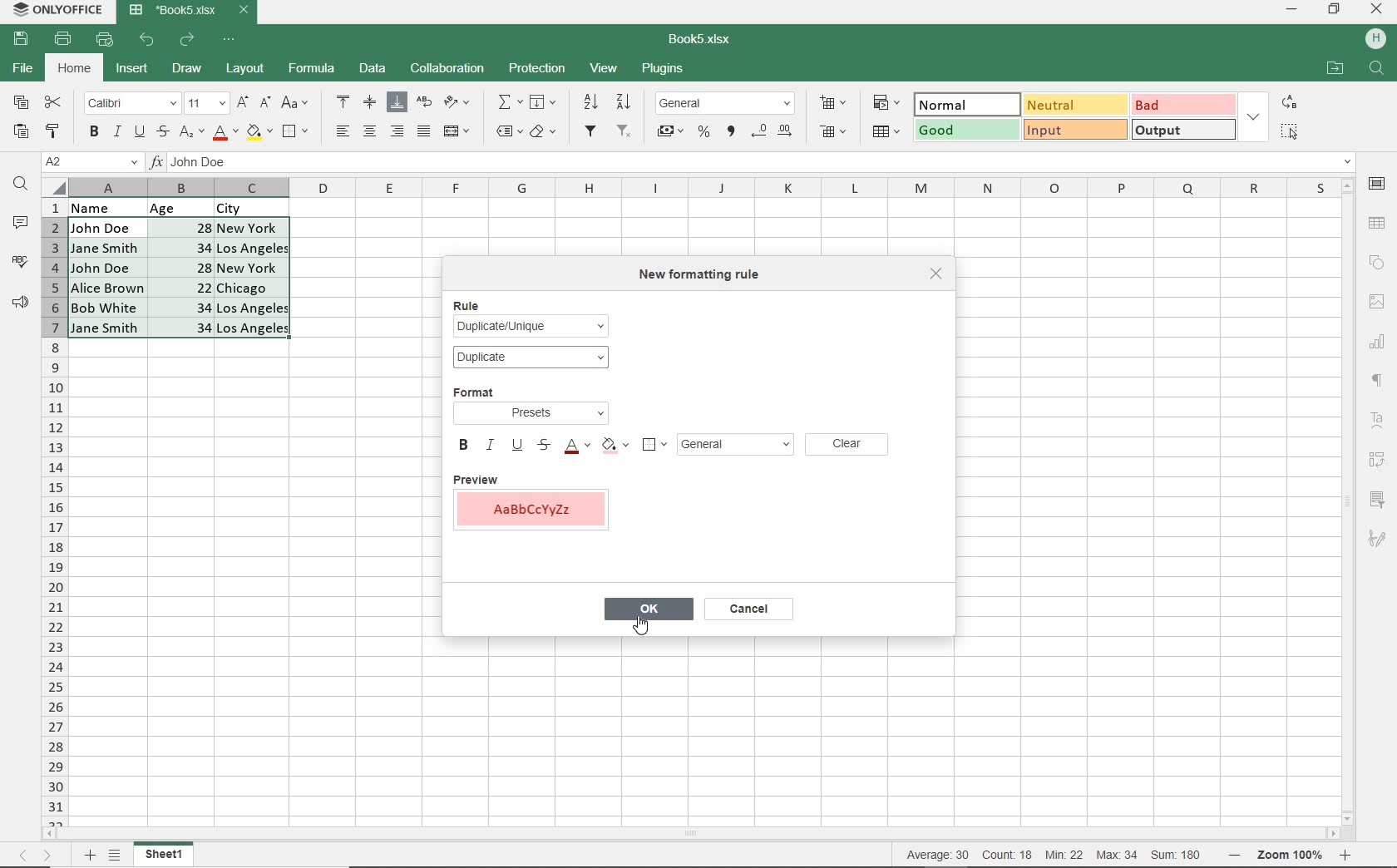  Describe the element at coordinates (1182, 104) in the screenshot. I see `BAD` at that location.